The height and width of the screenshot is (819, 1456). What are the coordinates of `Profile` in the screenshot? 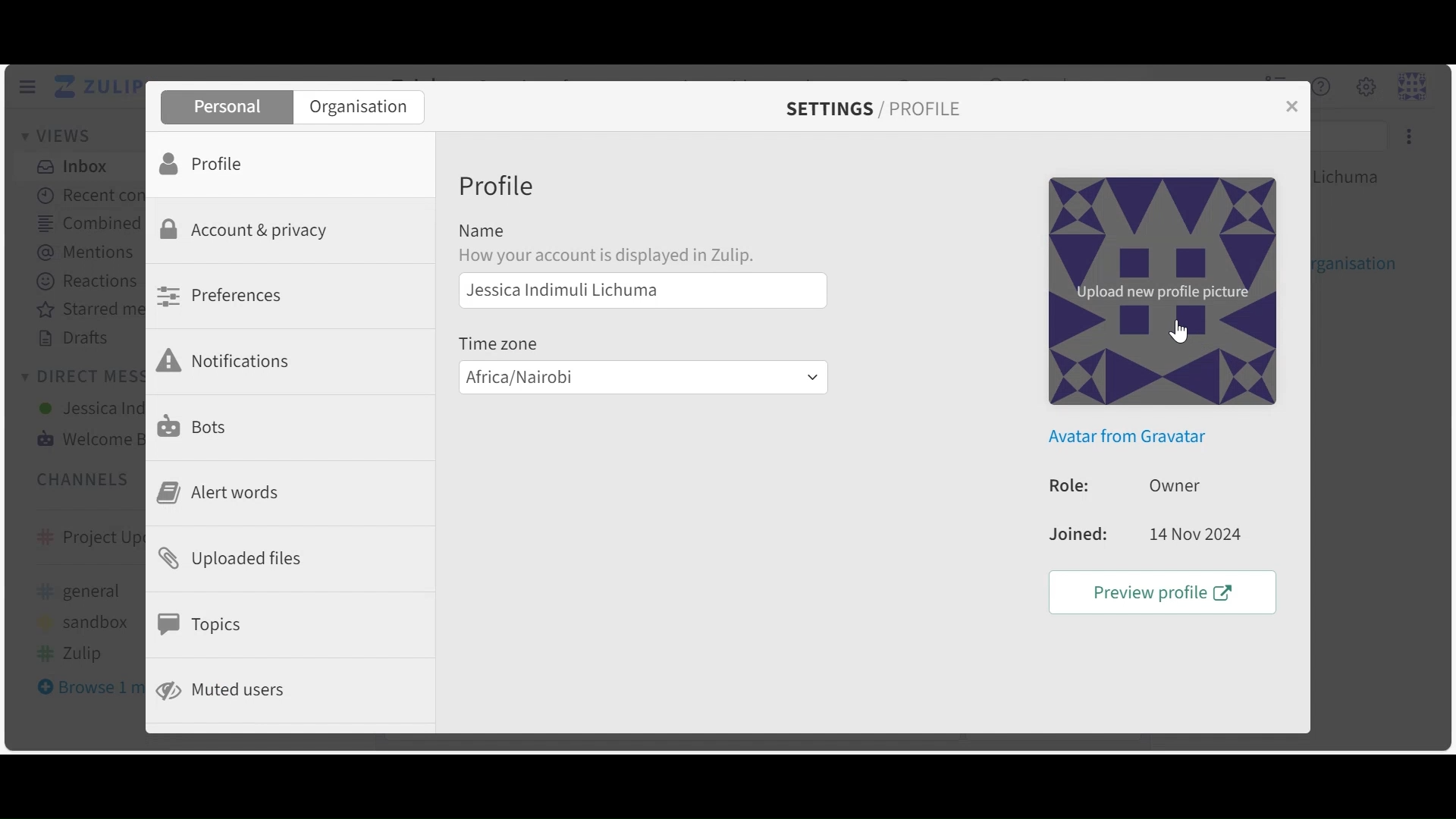 It's located at (499, 185).